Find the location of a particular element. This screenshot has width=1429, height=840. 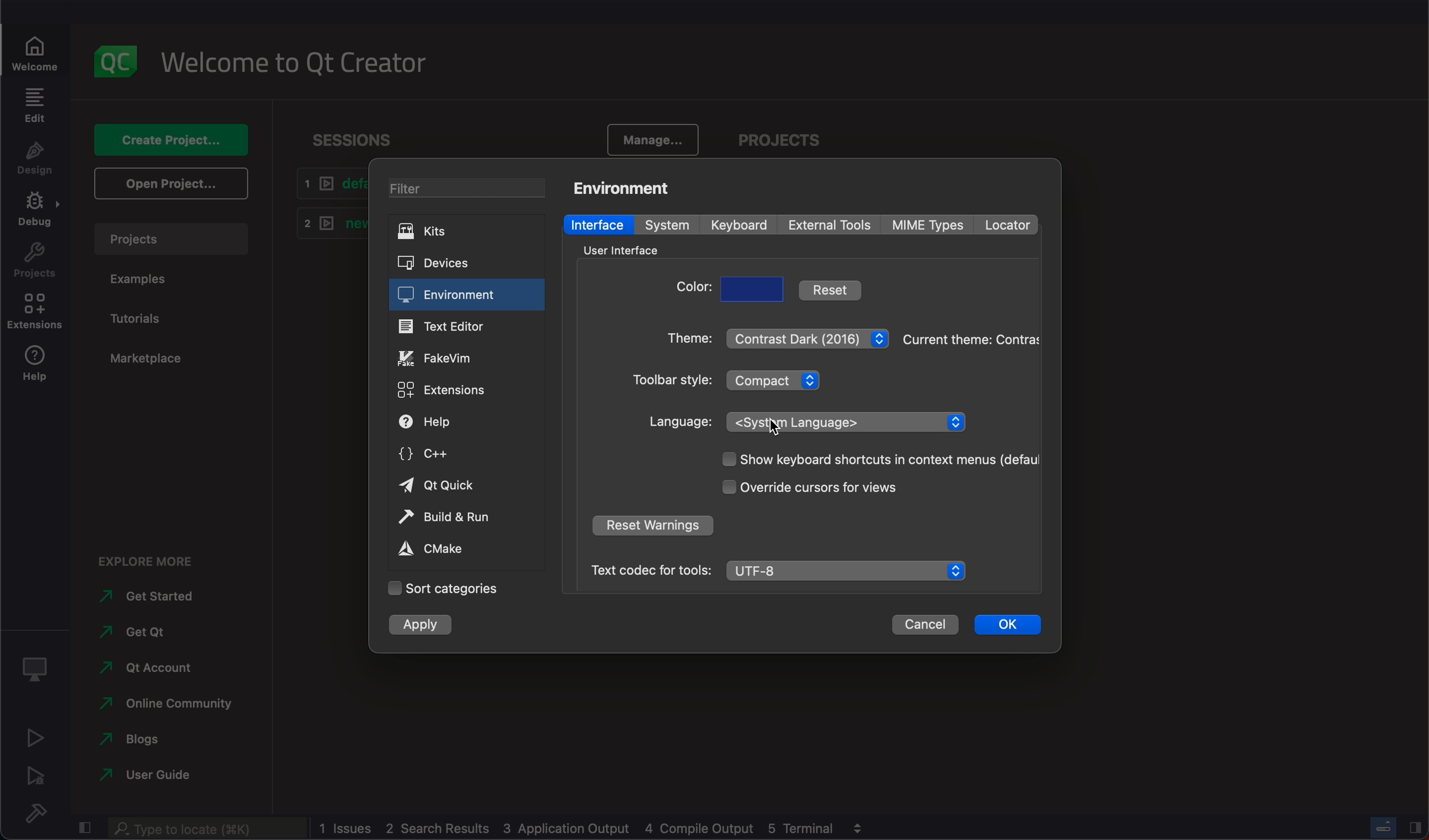

get started is located at coordinates (145, 597).